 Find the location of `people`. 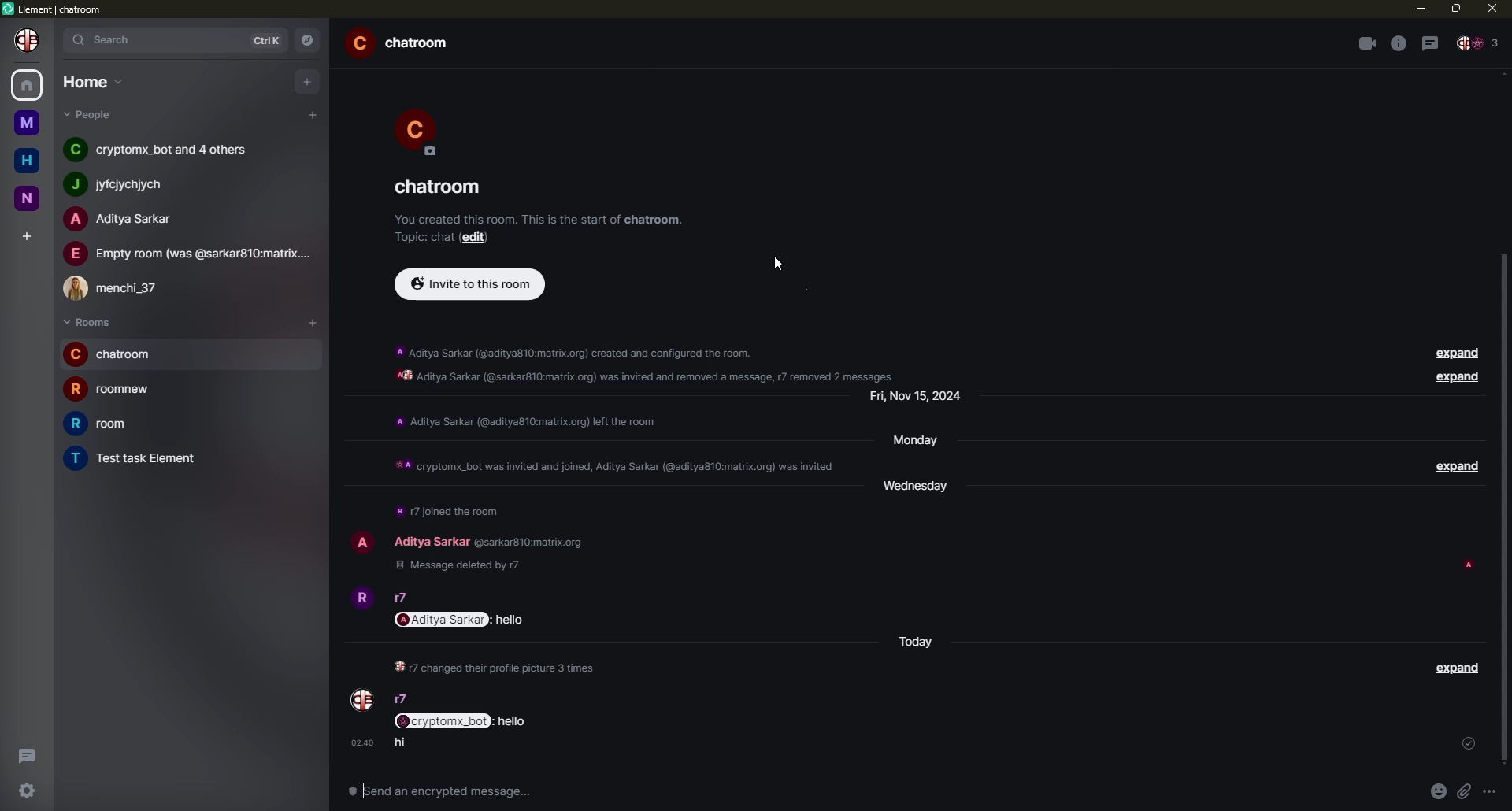

people is located at coordinates (399, 597).